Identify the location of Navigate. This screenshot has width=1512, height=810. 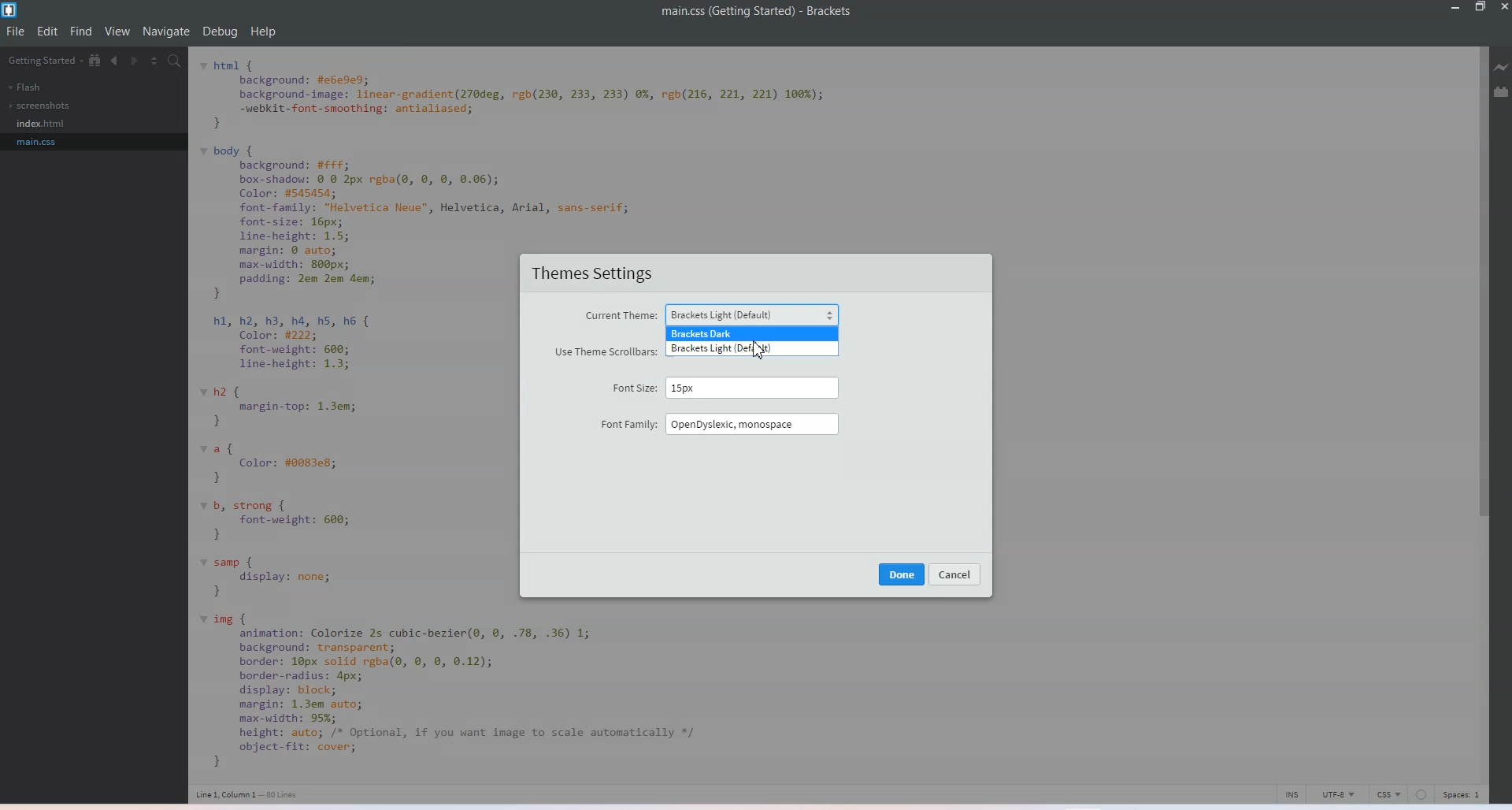
(167, 32).